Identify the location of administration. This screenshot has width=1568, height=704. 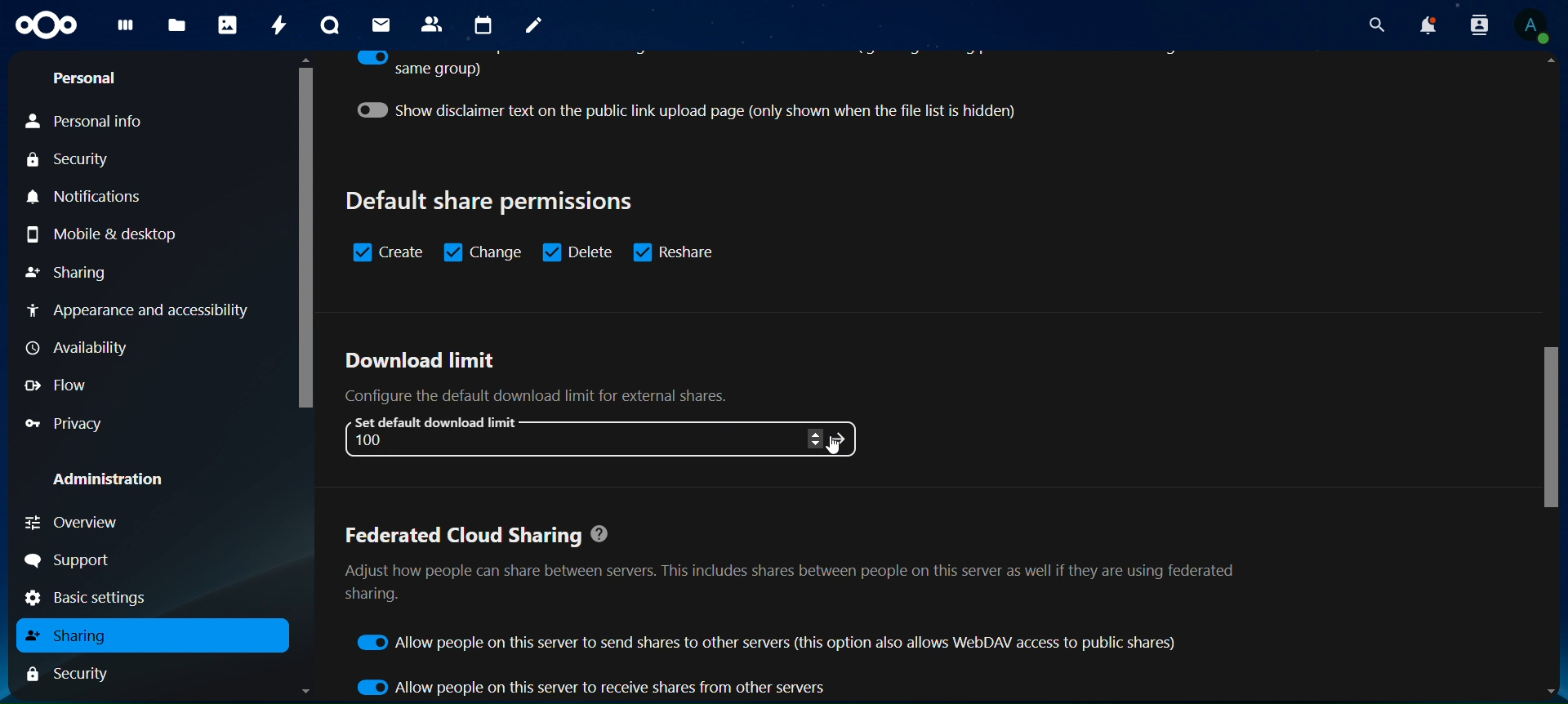
(109, 481).